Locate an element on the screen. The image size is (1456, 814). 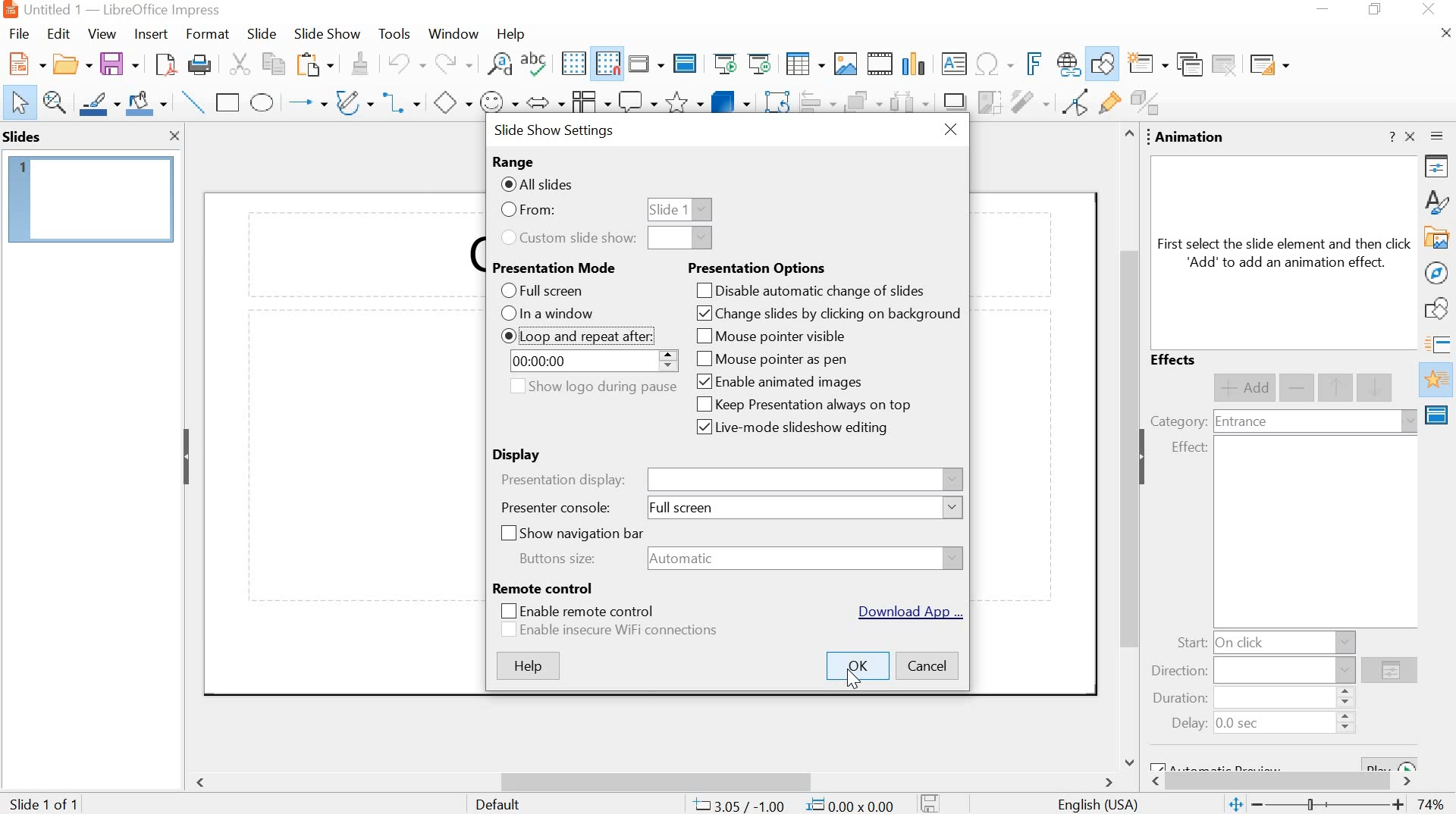
close app is located at coordinates (1430, 11).